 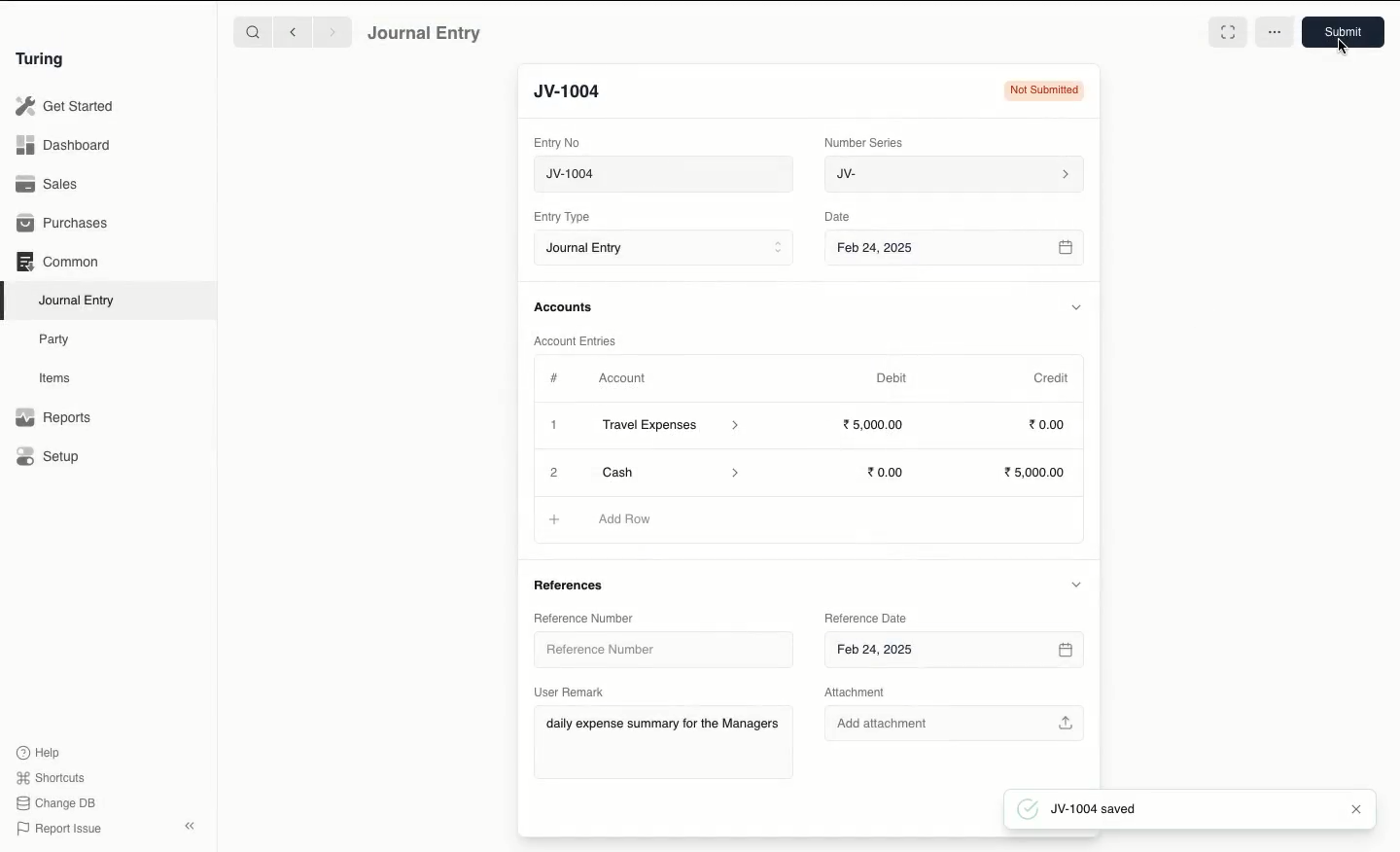 I want to click on Hashtag, so click(x=556, y=377).